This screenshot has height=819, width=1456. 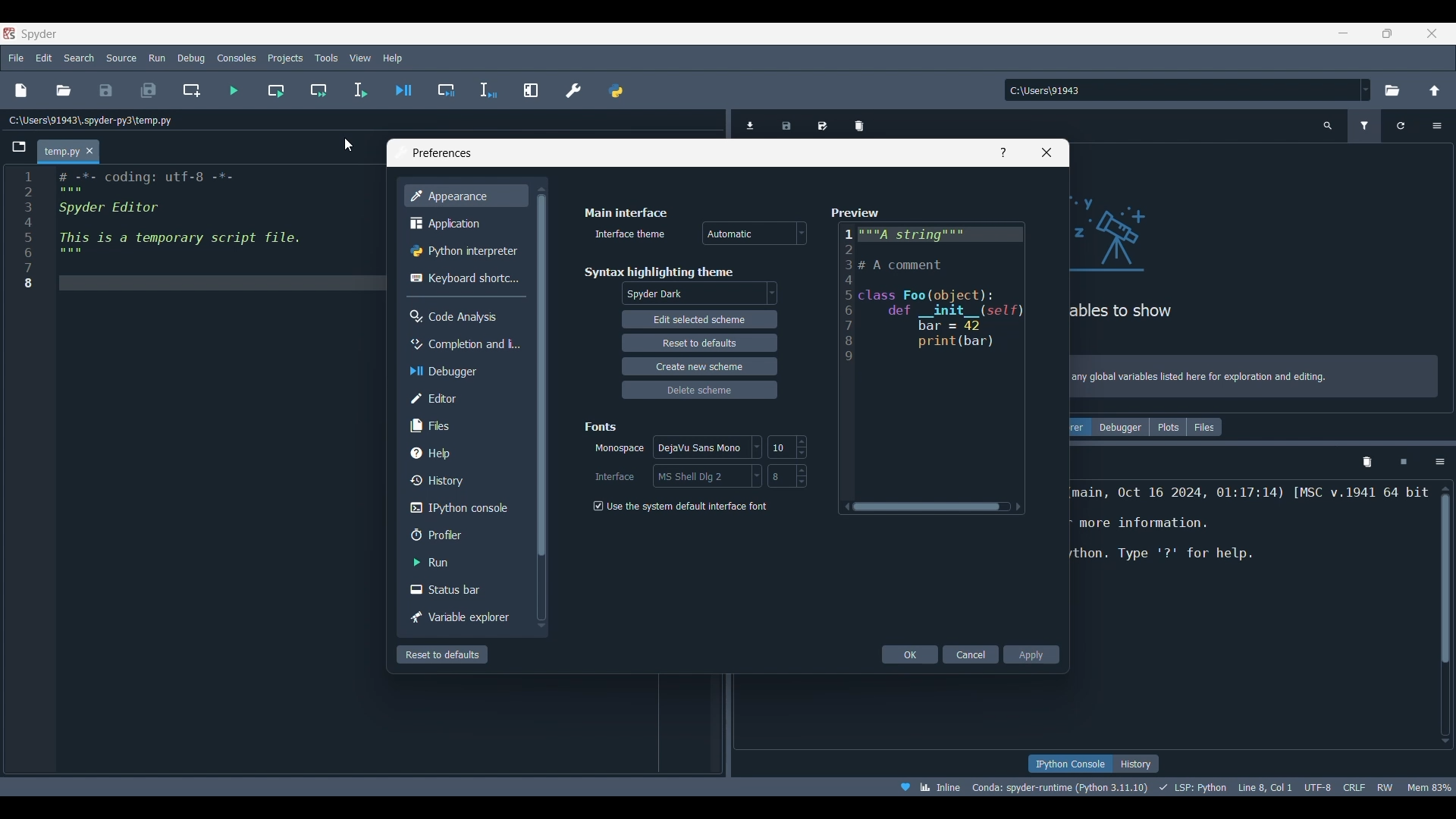 What do you see at coordinates (786, 127) in the screenshot?
I see `Save data` at bounding box center [786, 127].